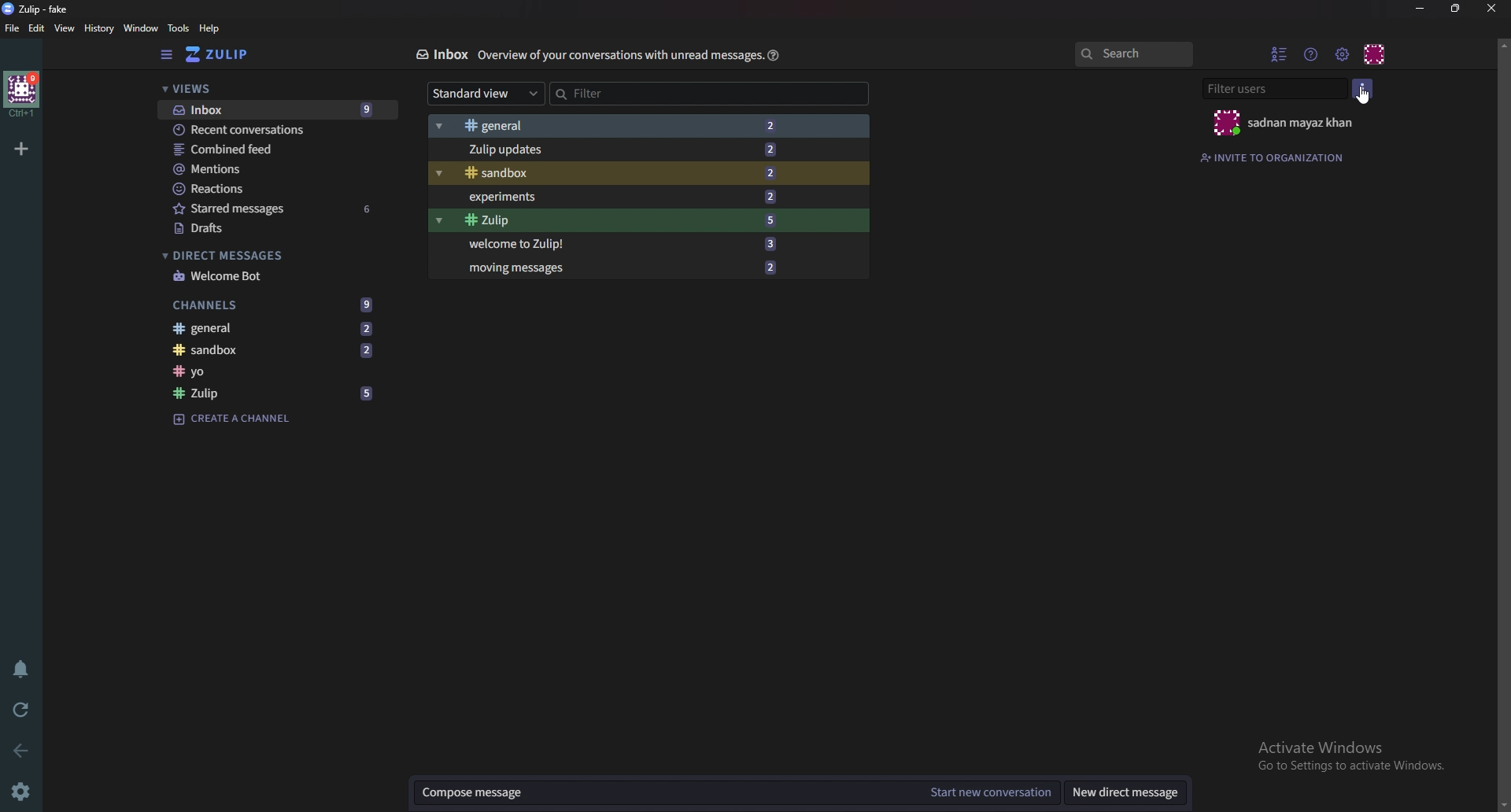 The width and height of the screenshot is (1511, 812). What do you see at coordinates (24, 668) in the screenshot?
I see `Enable do not disturb` at bounding box center [24, 668].